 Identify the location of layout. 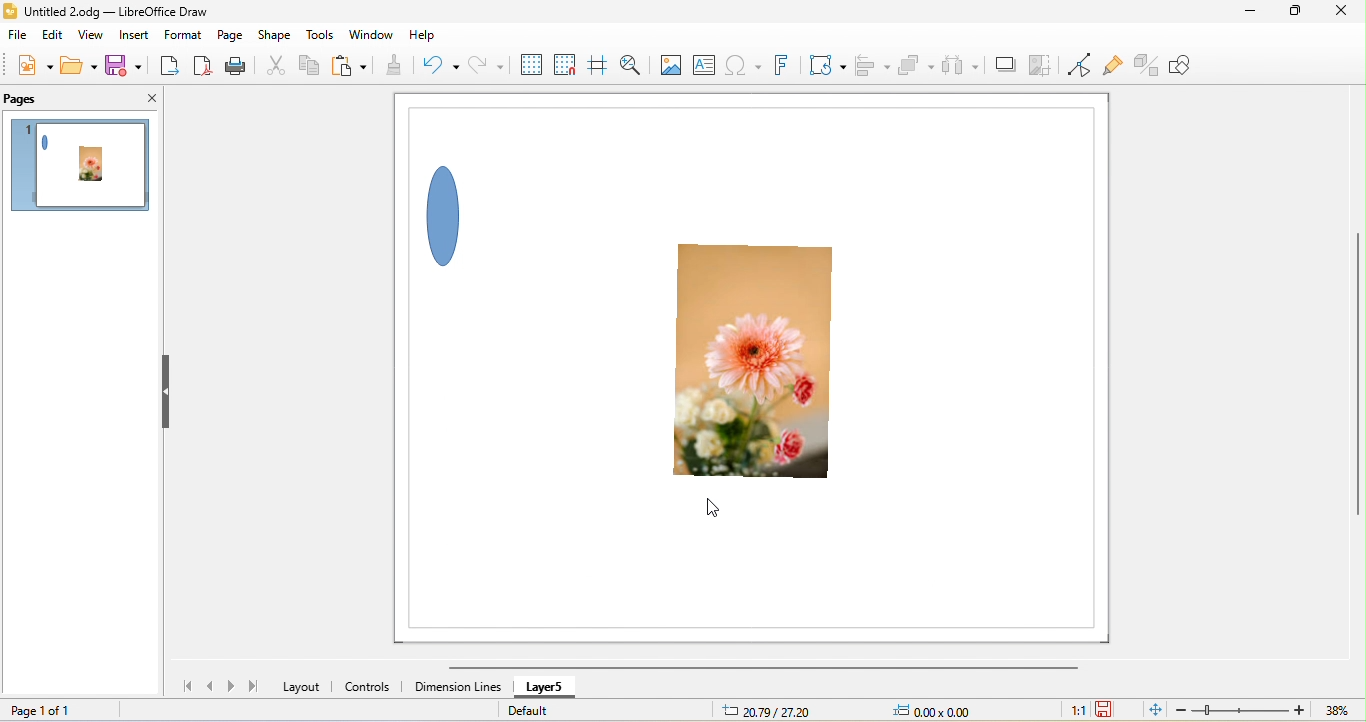
(302, 686).